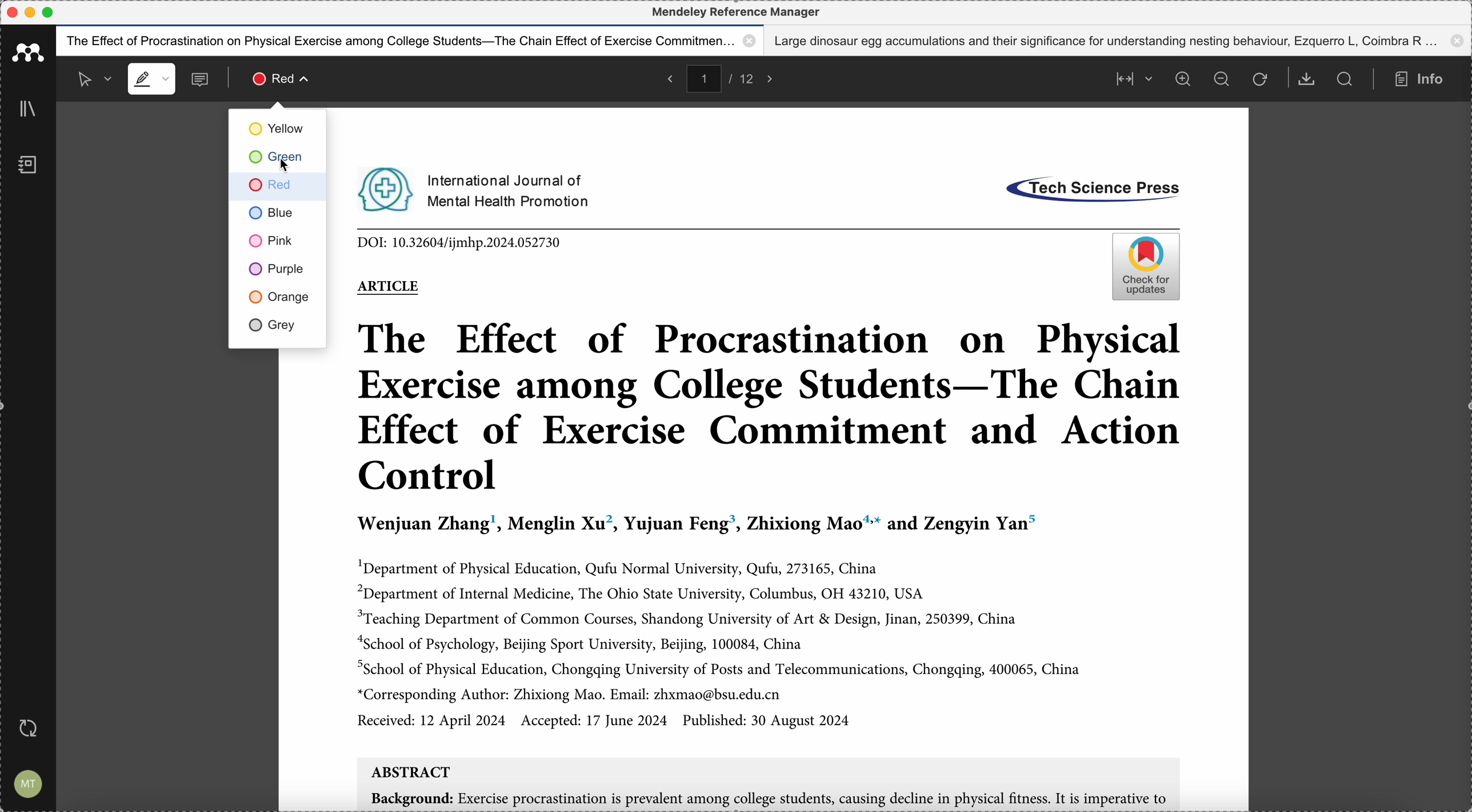 The image size is (1472, 812). I want to click on search, so click(1345, 79).